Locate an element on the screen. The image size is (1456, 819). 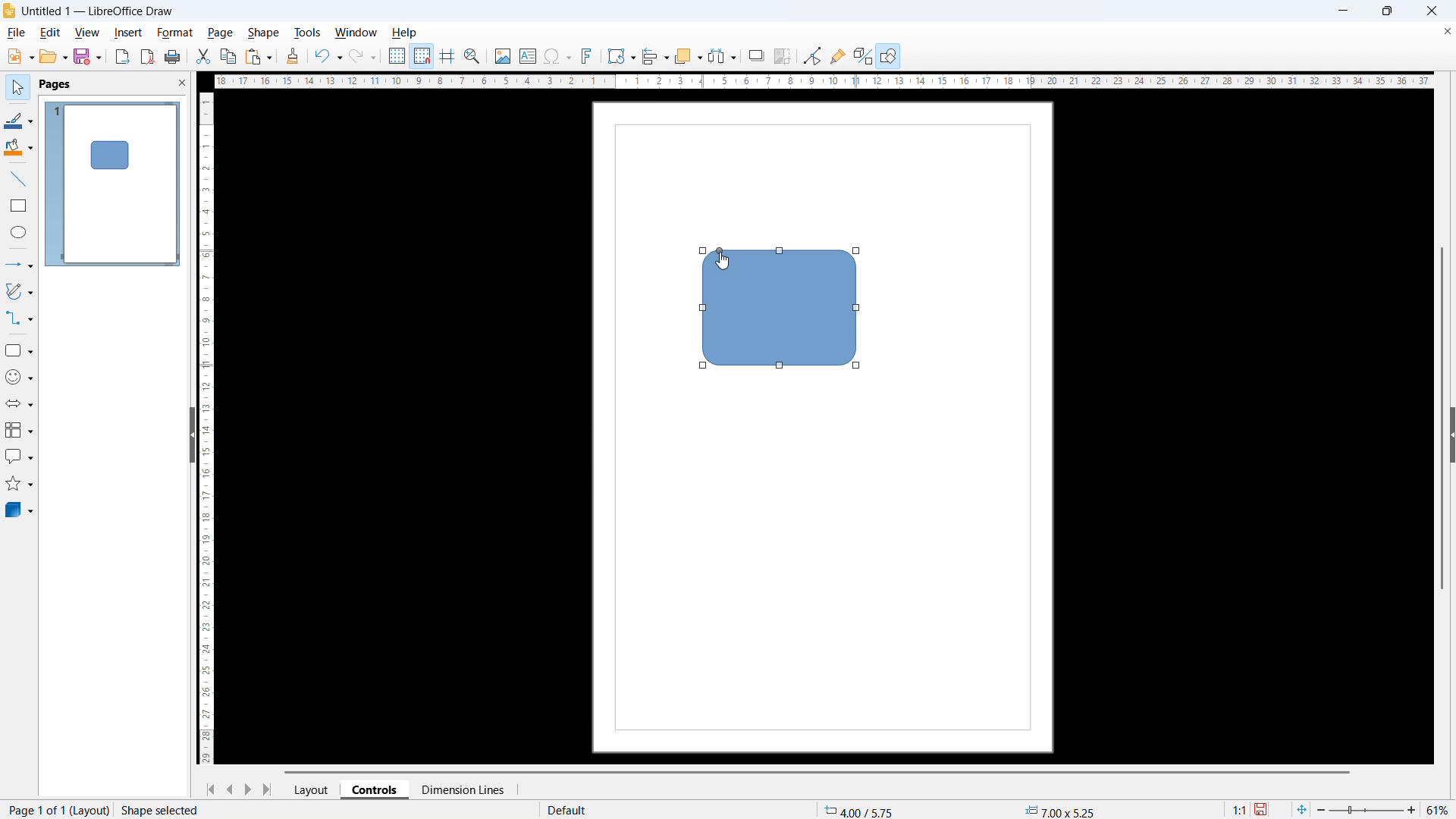
paste  is located at coordinates (259, 58).